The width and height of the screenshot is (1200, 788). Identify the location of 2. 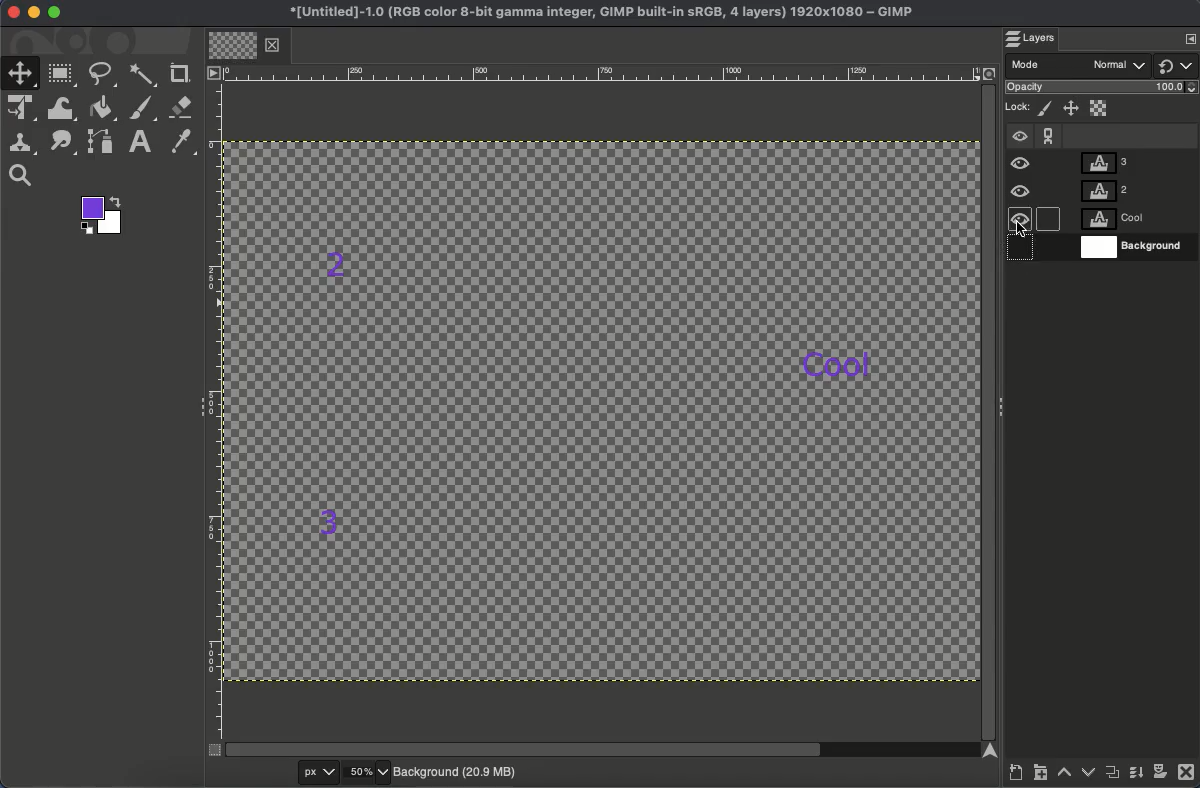
(338, 259).